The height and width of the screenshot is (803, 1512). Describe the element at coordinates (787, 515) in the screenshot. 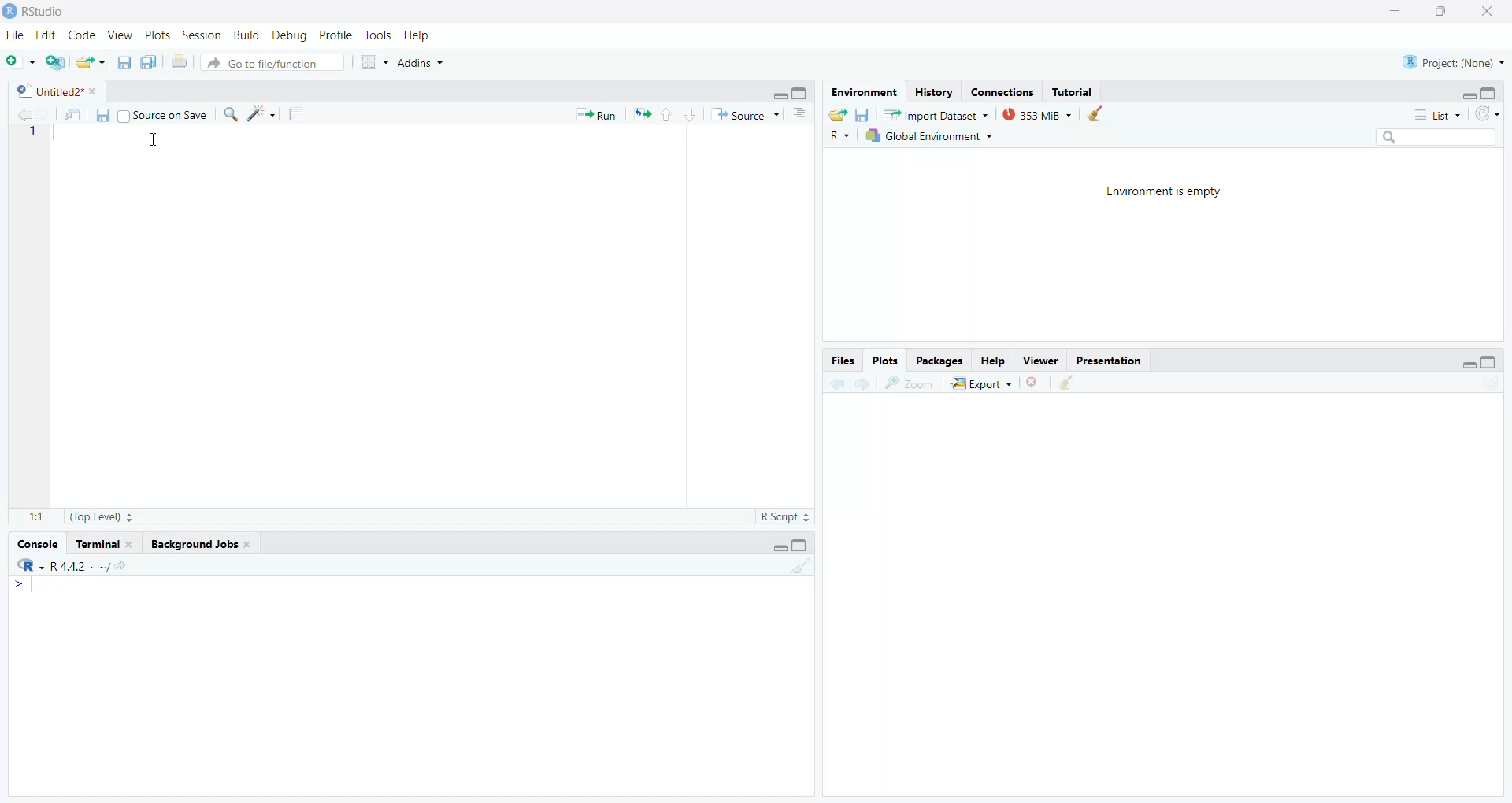

I see `R Script 3` at that location.